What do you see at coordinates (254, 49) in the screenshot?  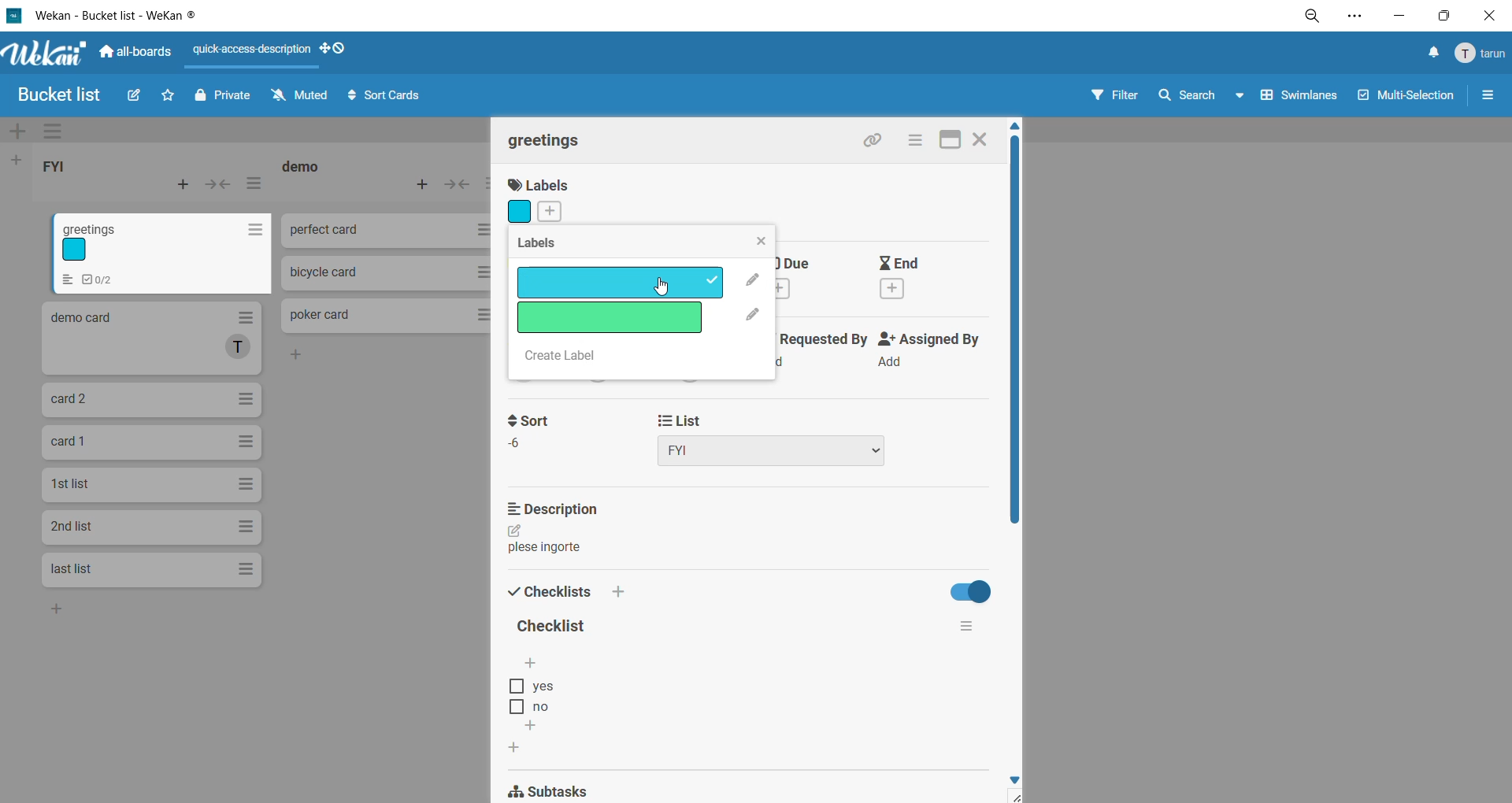 I see `quick access description` at bounding box center [254, 49].